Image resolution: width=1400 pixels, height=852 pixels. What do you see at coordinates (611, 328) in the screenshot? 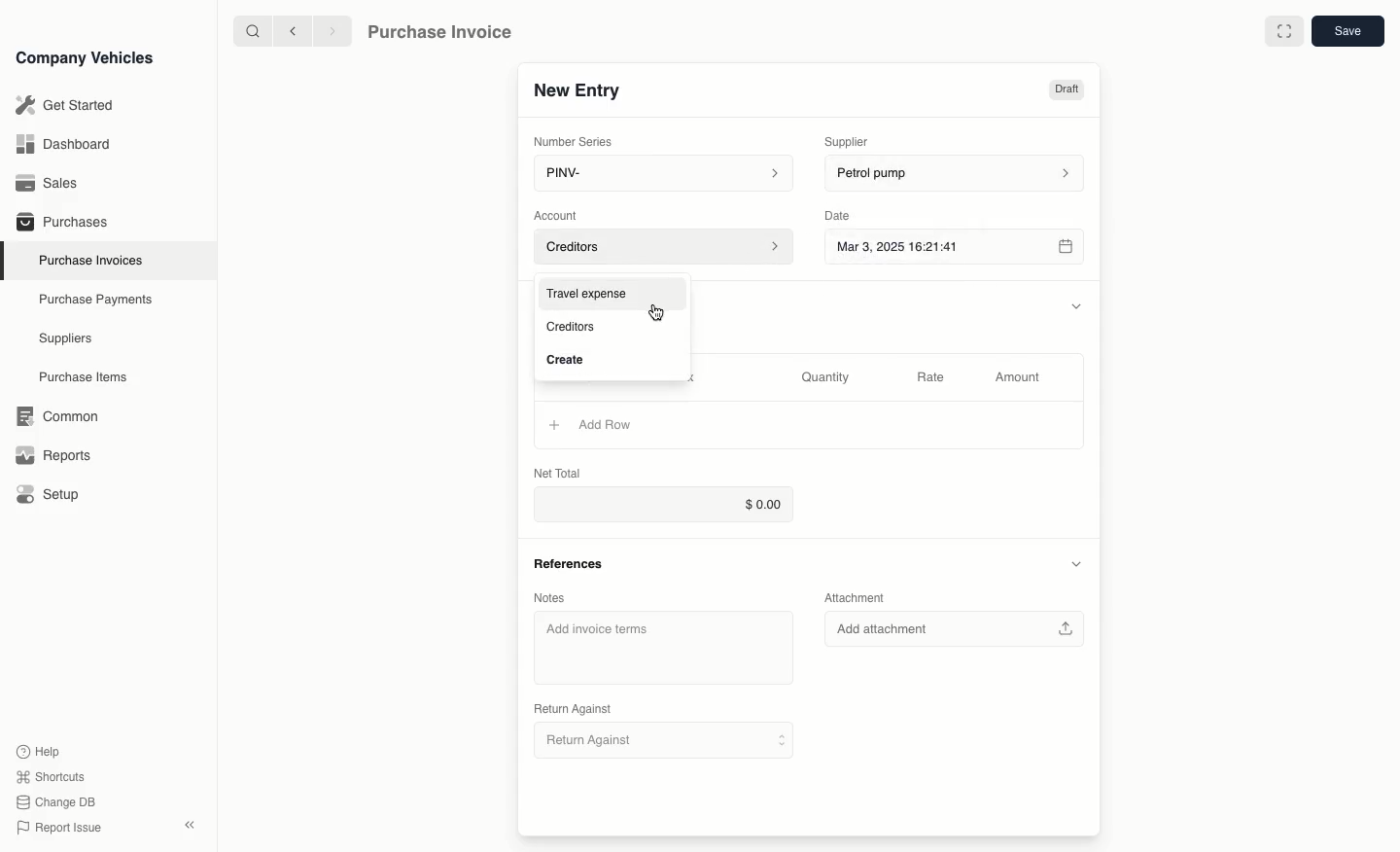
I see `-
Creditors.` at bounding box center [611, 328].